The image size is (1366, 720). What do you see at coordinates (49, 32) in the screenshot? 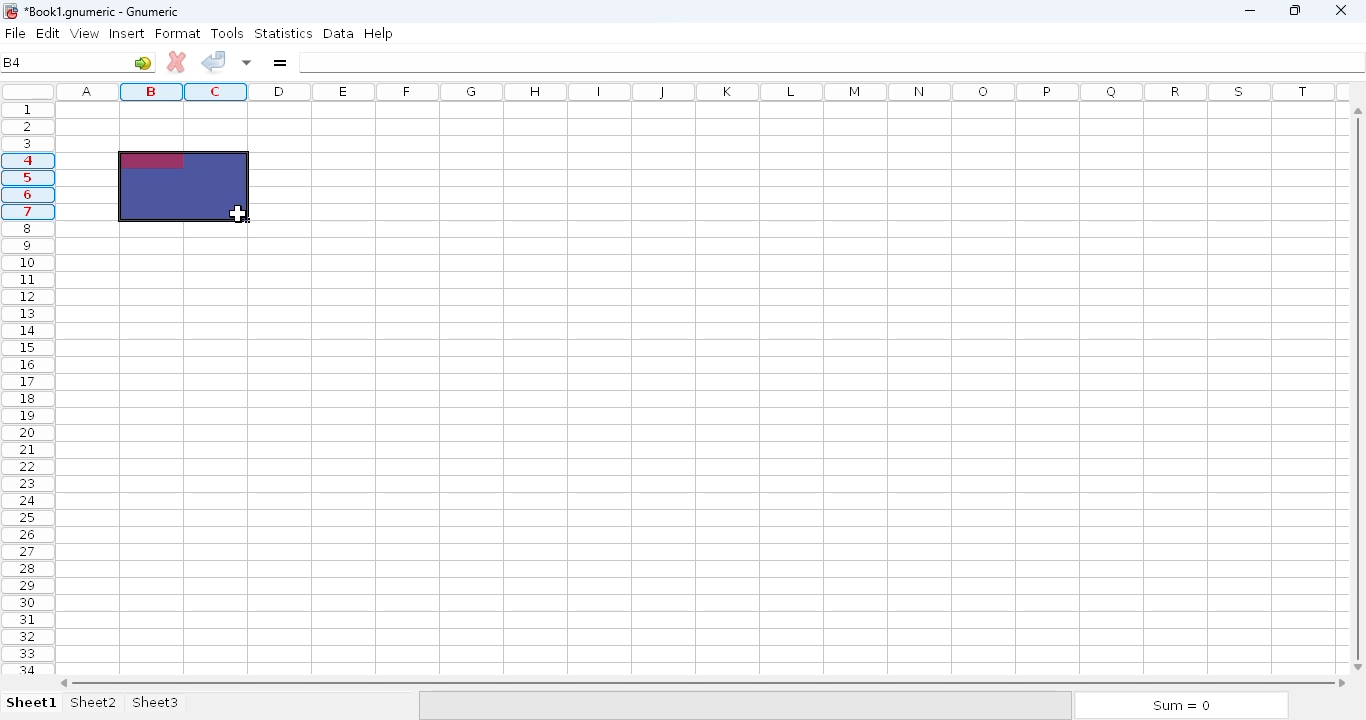
I see `edit` at bounding box center [49, 32].